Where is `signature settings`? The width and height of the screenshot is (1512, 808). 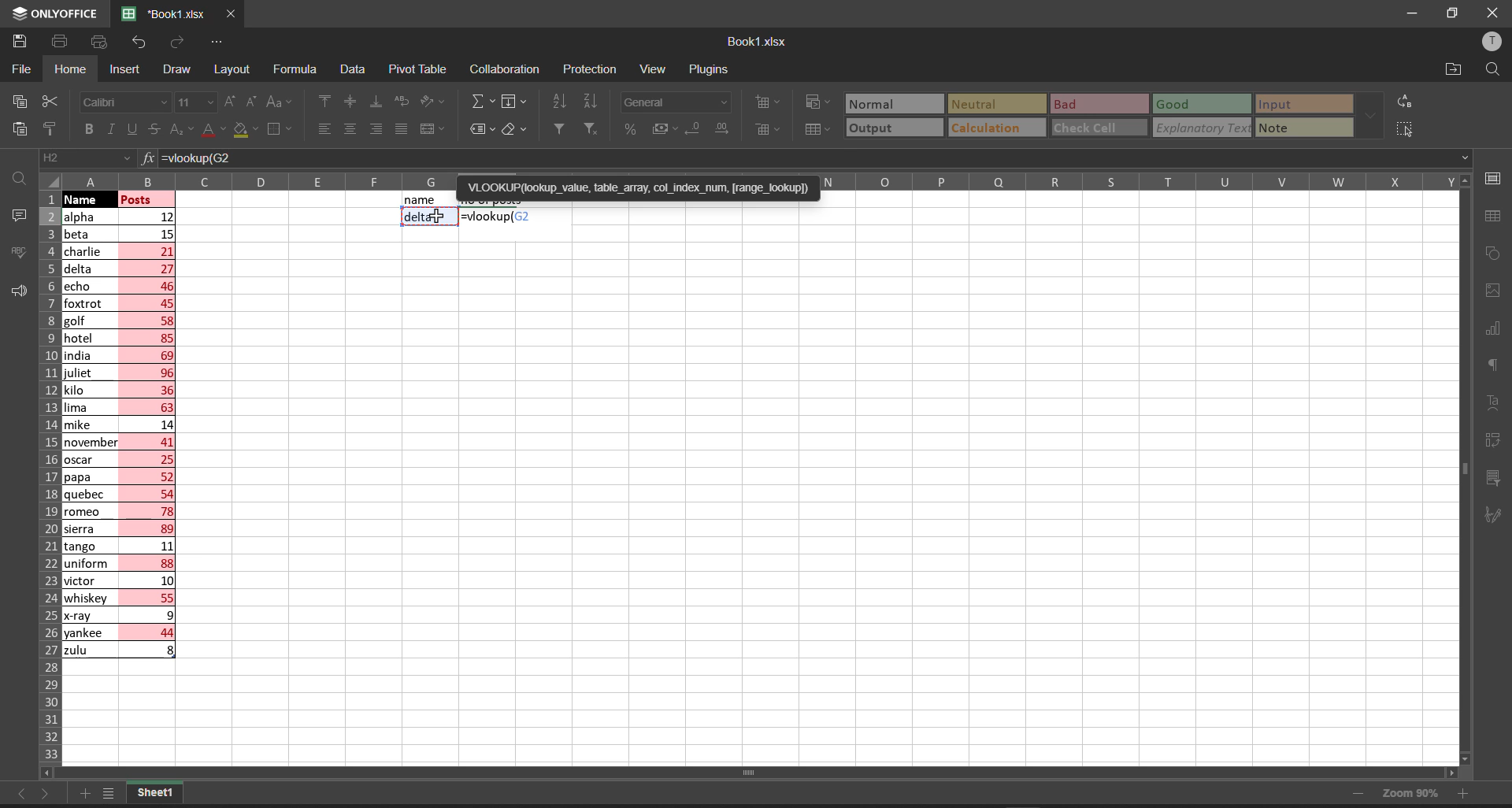 signature settings is located at coordinates (1498, 513).